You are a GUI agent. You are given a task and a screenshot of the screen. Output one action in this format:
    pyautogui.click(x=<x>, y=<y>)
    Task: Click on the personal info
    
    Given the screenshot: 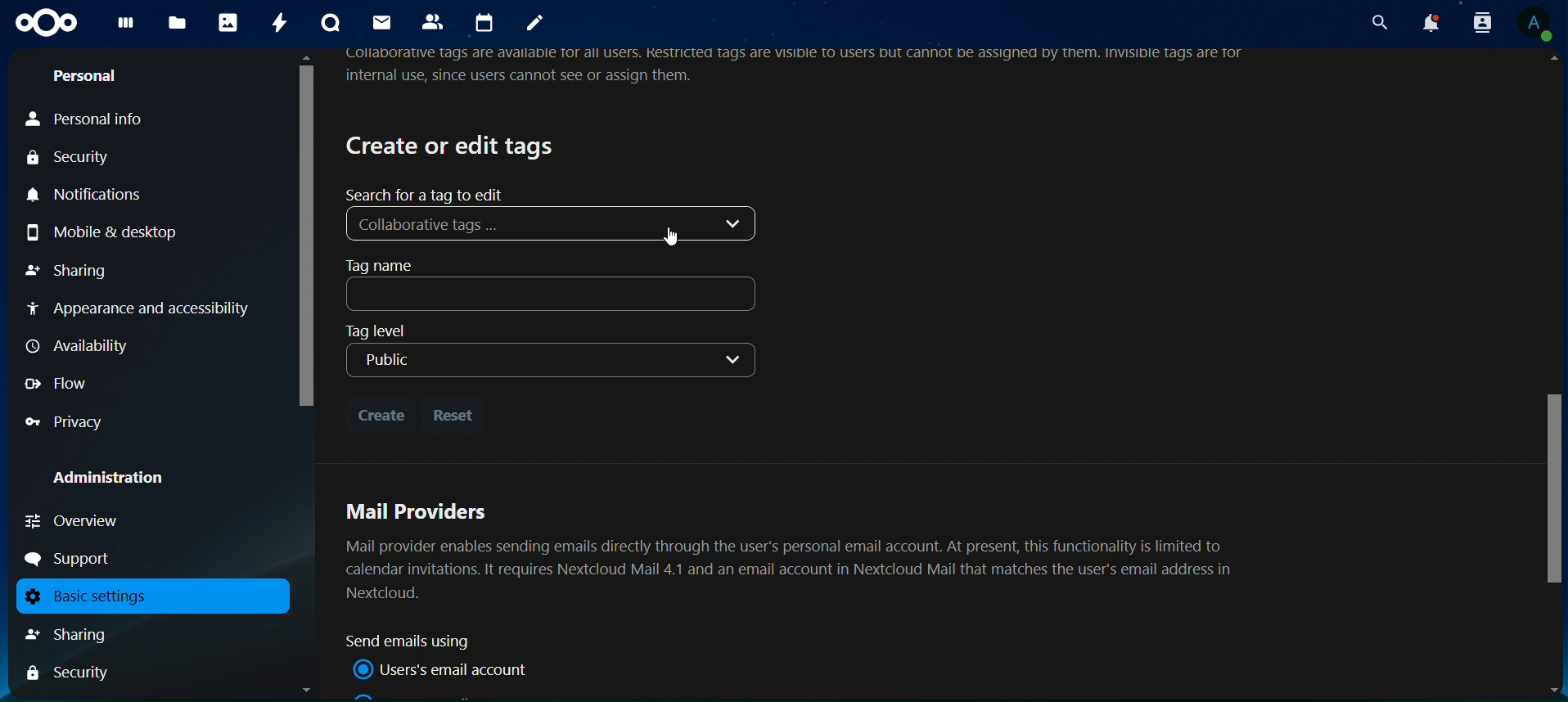 What is the action you would take?
    pyautogui.click(x=107, y=120)
    